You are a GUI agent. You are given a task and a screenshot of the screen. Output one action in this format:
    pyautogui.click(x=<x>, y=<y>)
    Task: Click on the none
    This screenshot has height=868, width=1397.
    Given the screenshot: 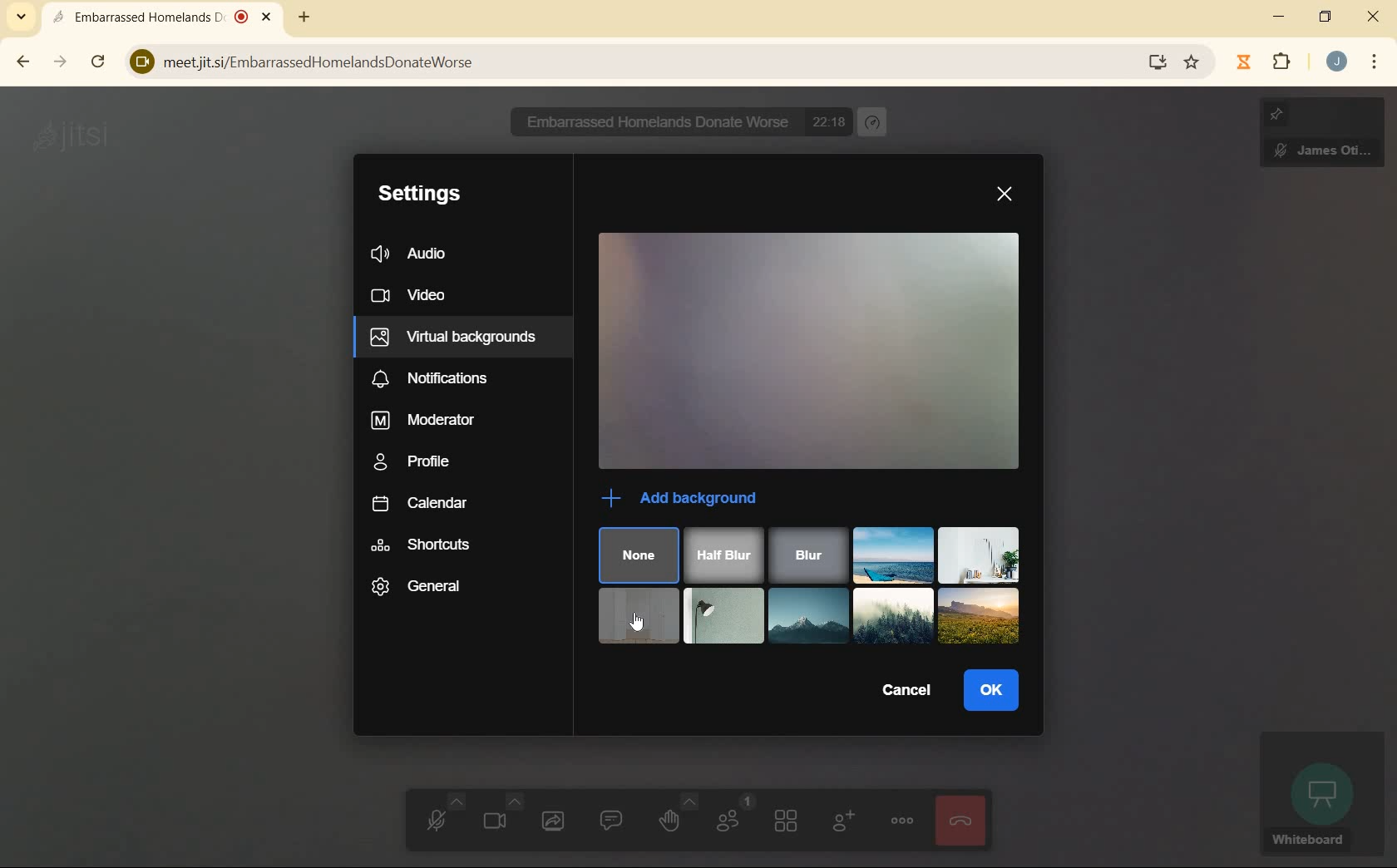 What is the action you would take?
    pyautogui.click(x=639, y=555)
    